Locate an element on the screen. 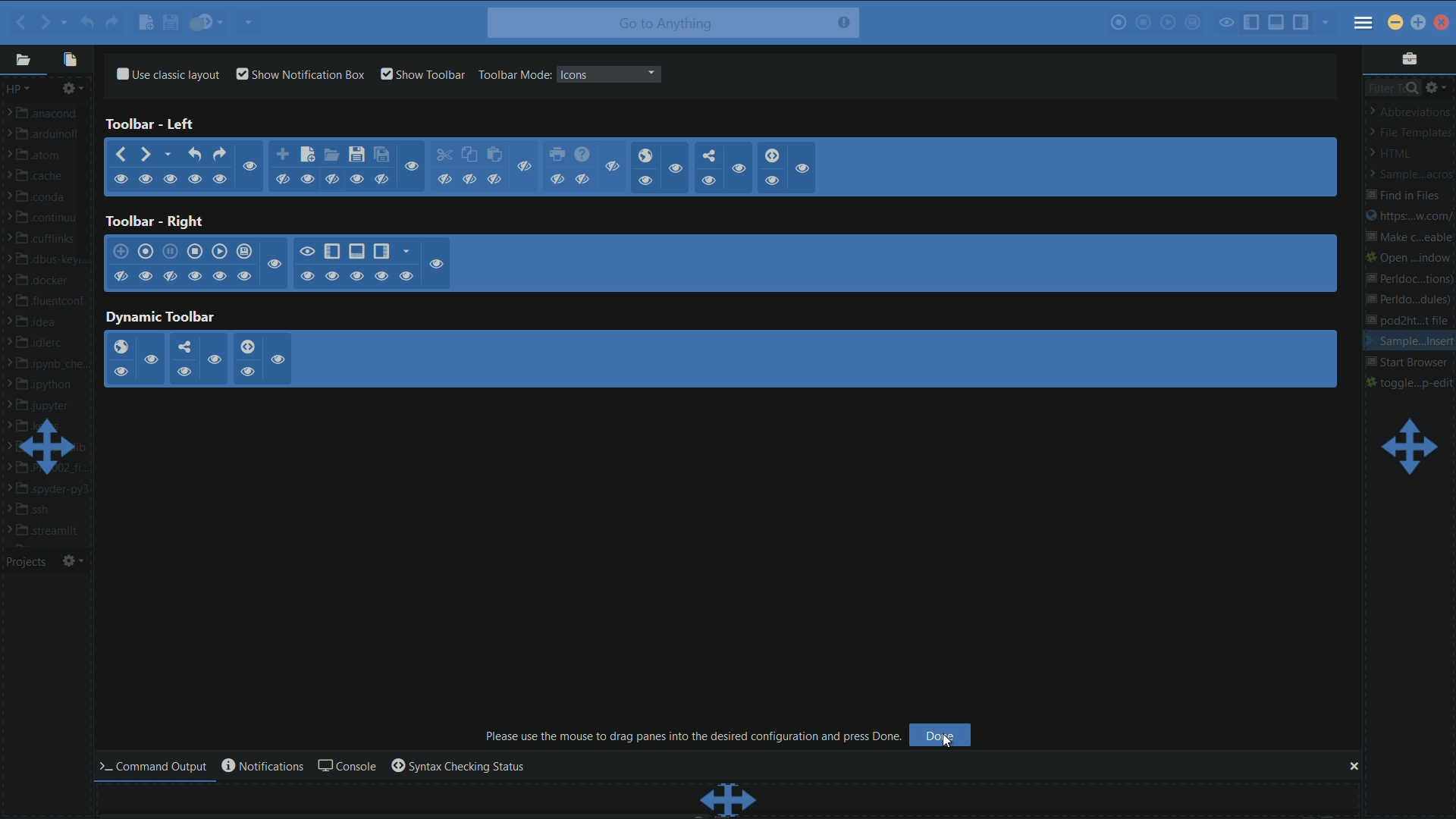 The image size is (1456, 819). show/hide is located at coordinates (173, 179).